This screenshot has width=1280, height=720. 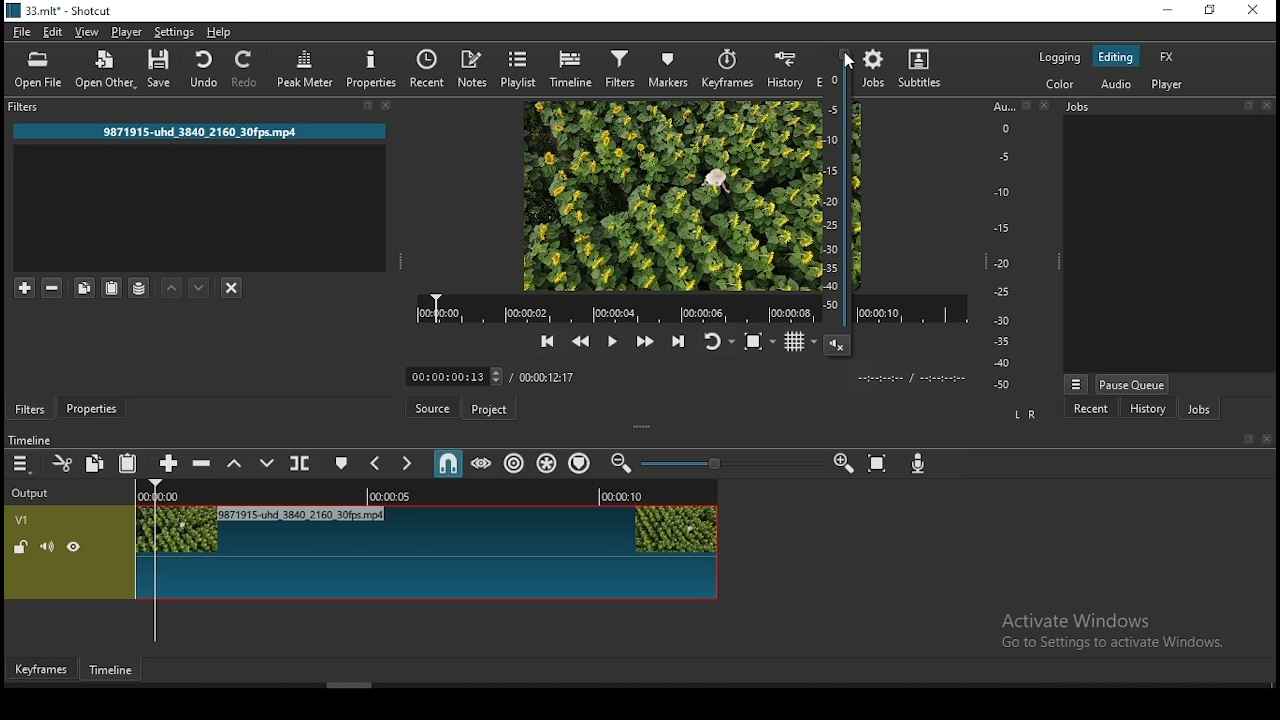 What do you see at coordinates (879, 463) in the screenshot?
I see `zoom timeline to fit` at bounding box center [879, 463].